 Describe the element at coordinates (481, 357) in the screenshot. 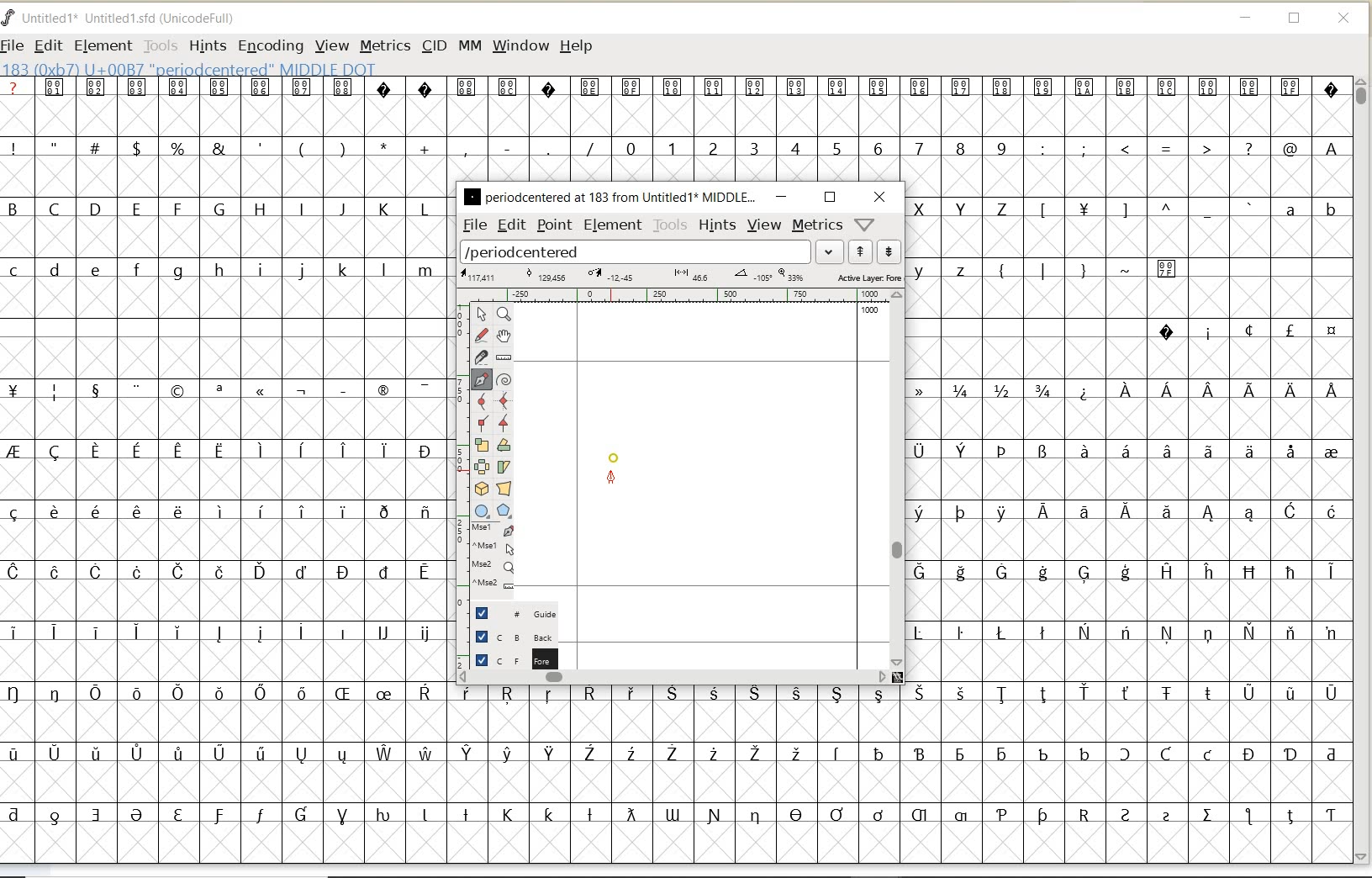

I see `cut splines in two` at that location.